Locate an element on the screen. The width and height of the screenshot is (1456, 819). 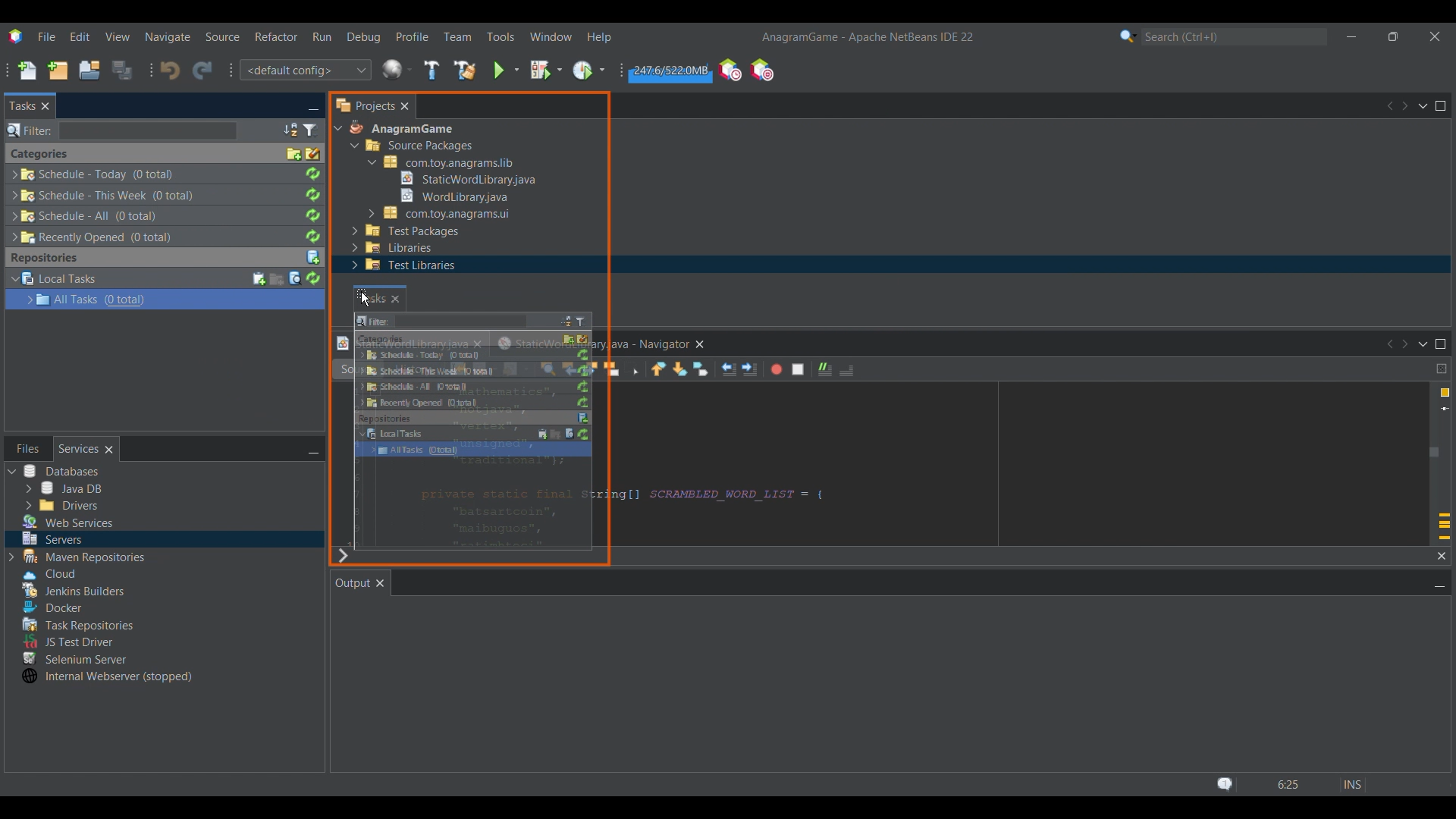
 is located at coordinates (419, 148).